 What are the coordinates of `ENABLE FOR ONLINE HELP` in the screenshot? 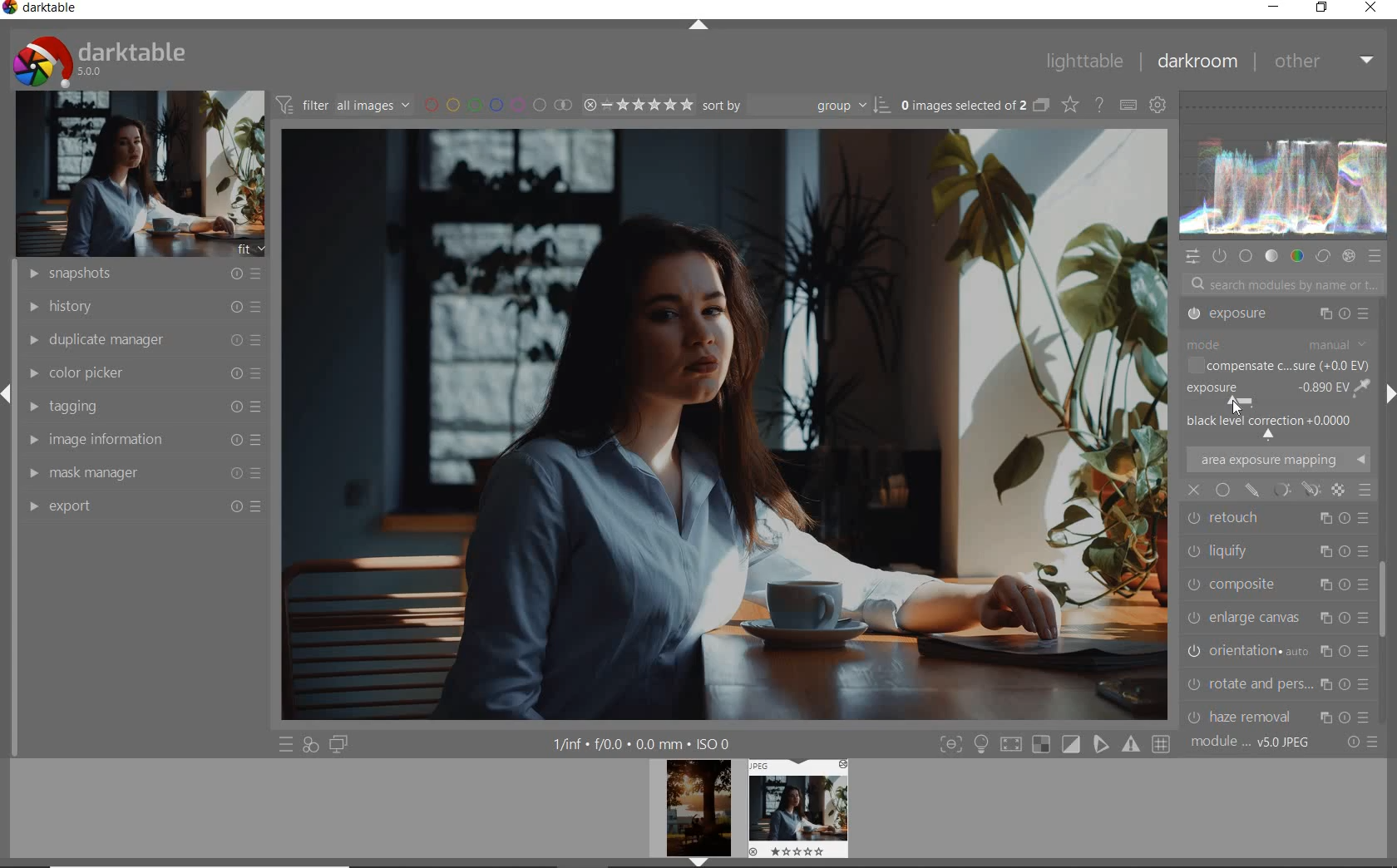 It's located at (1099, 105).